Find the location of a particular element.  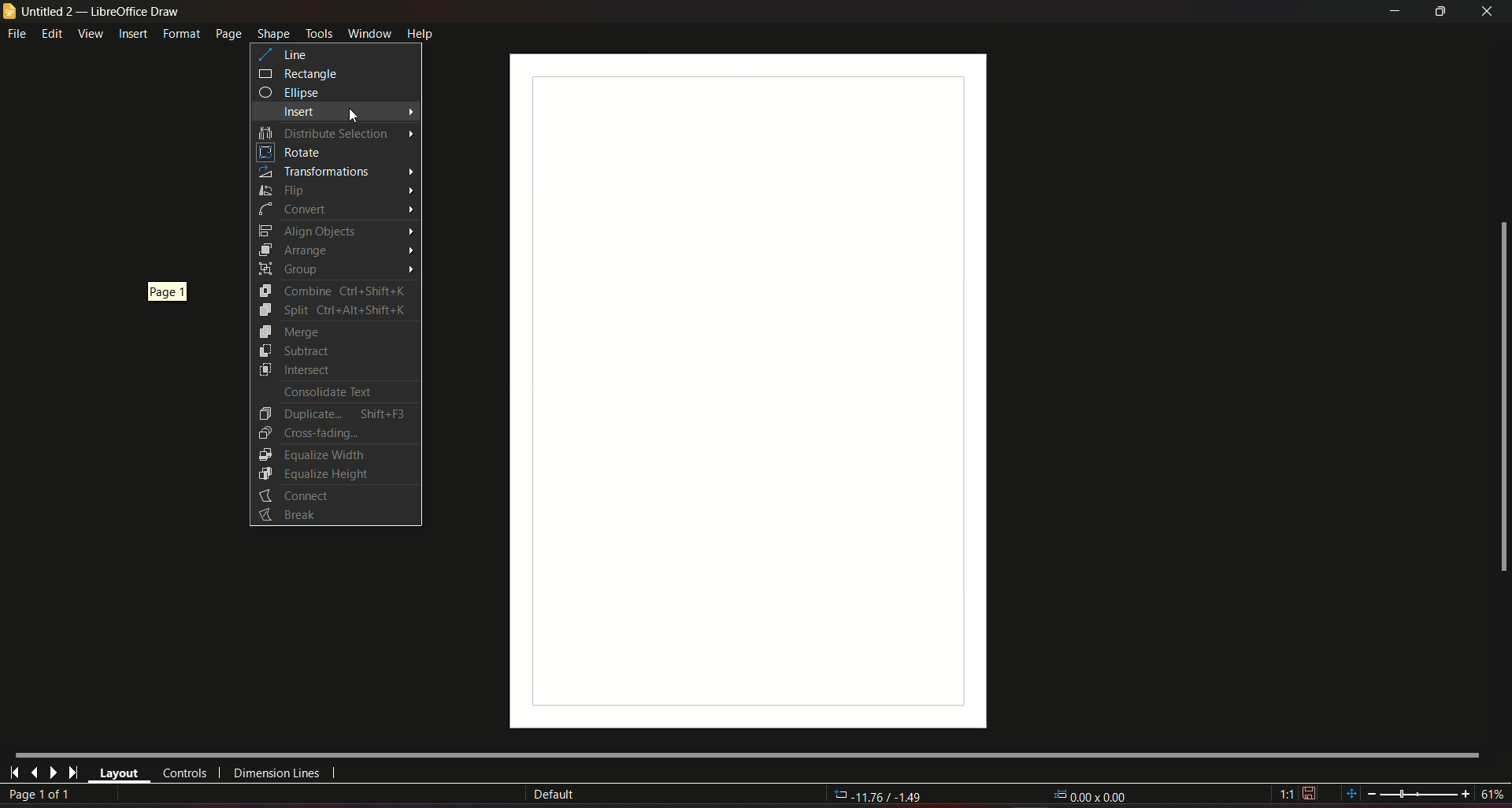

page 1 is located at coordinates (167, 289).